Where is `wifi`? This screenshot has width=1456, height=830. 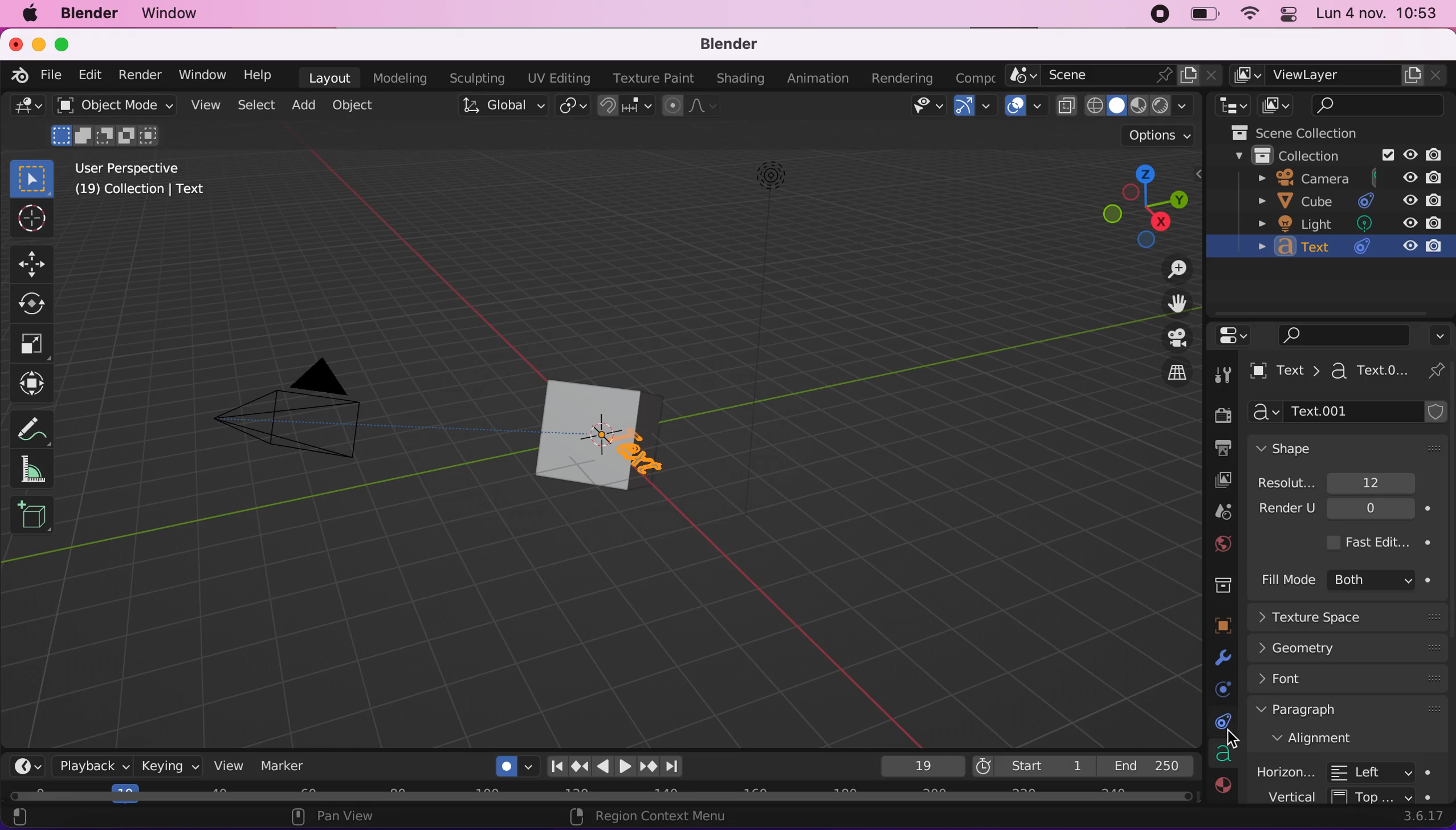
wifi is located at coordinates (1250, 15).